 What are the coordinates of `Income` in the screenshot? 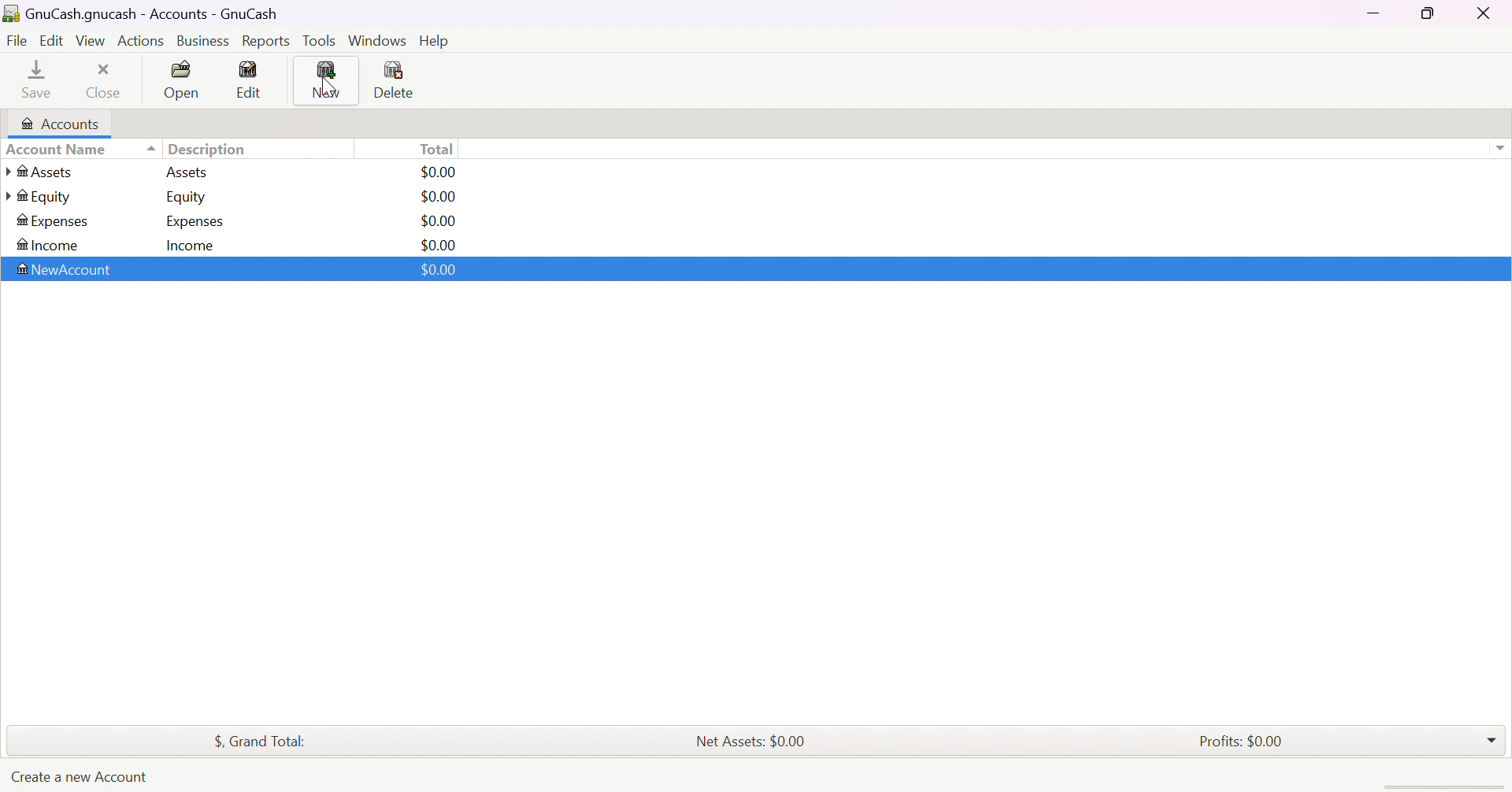 It's located at (53, 244).